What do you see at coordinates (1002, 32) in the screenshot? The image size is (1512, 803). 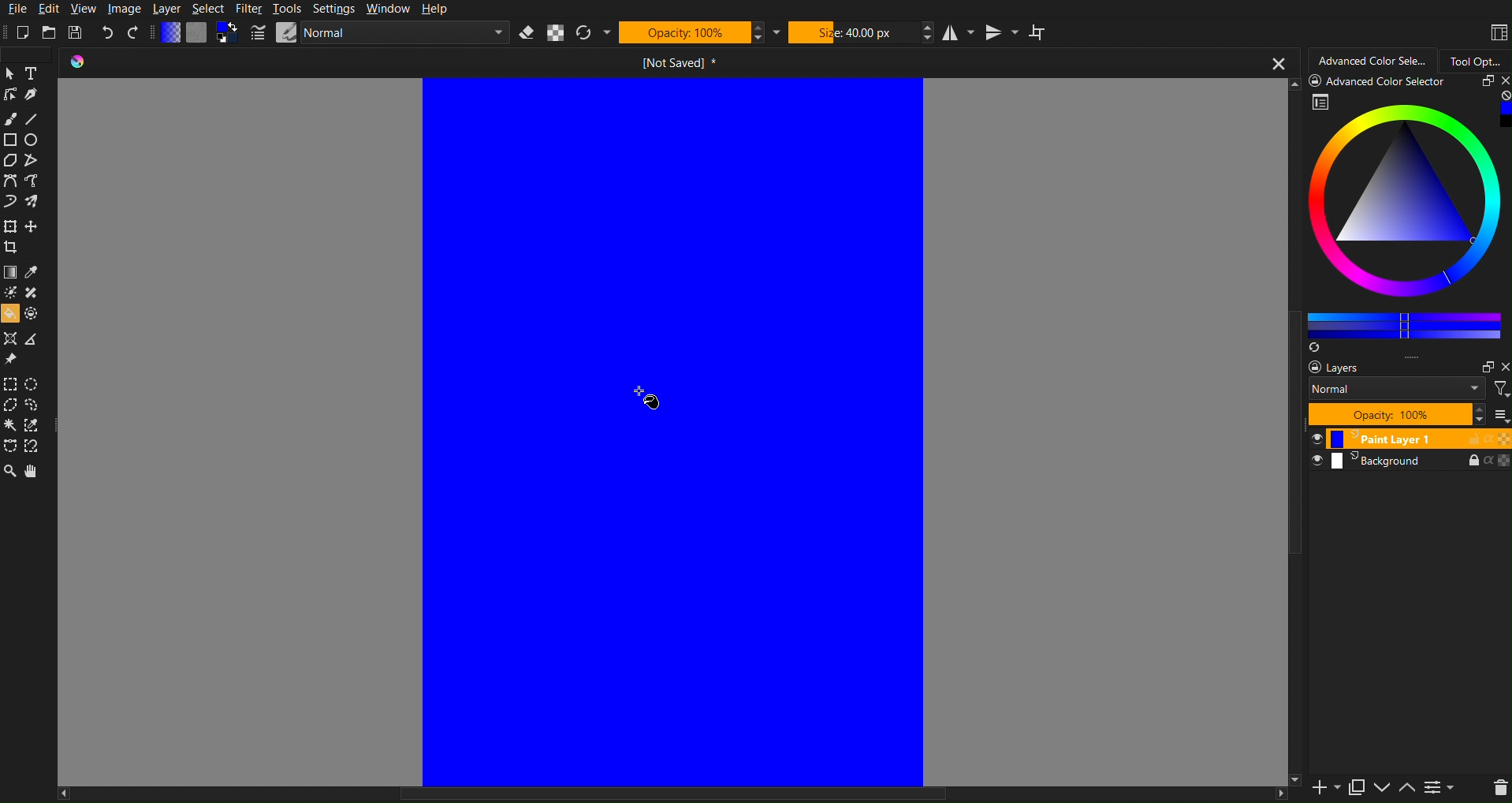 I see `Vertical Mirror` at bounding box center [1002, 32].